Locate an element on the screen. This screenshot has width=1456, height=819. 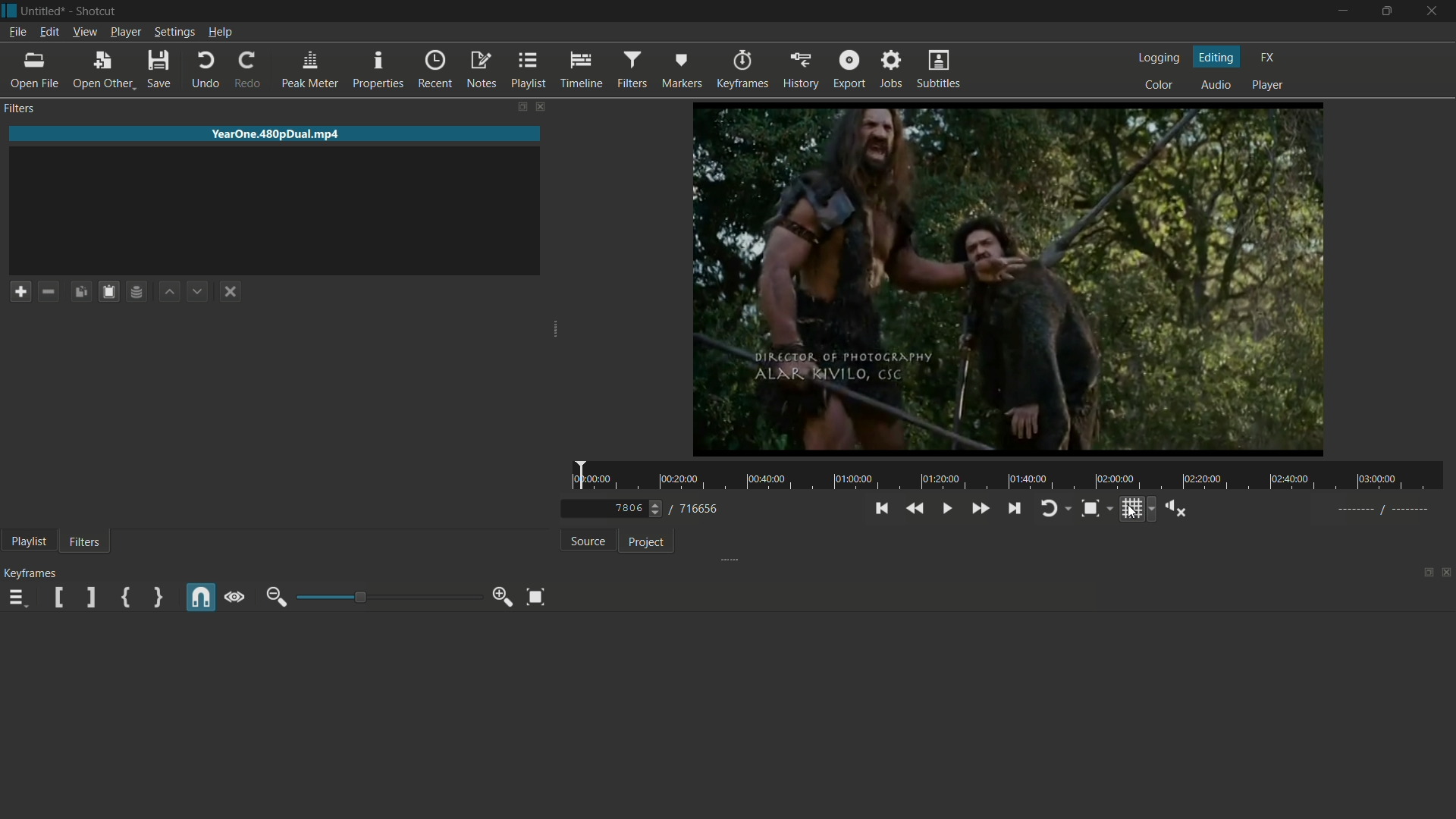
copy checked filters is located at coordinates (79, 292).